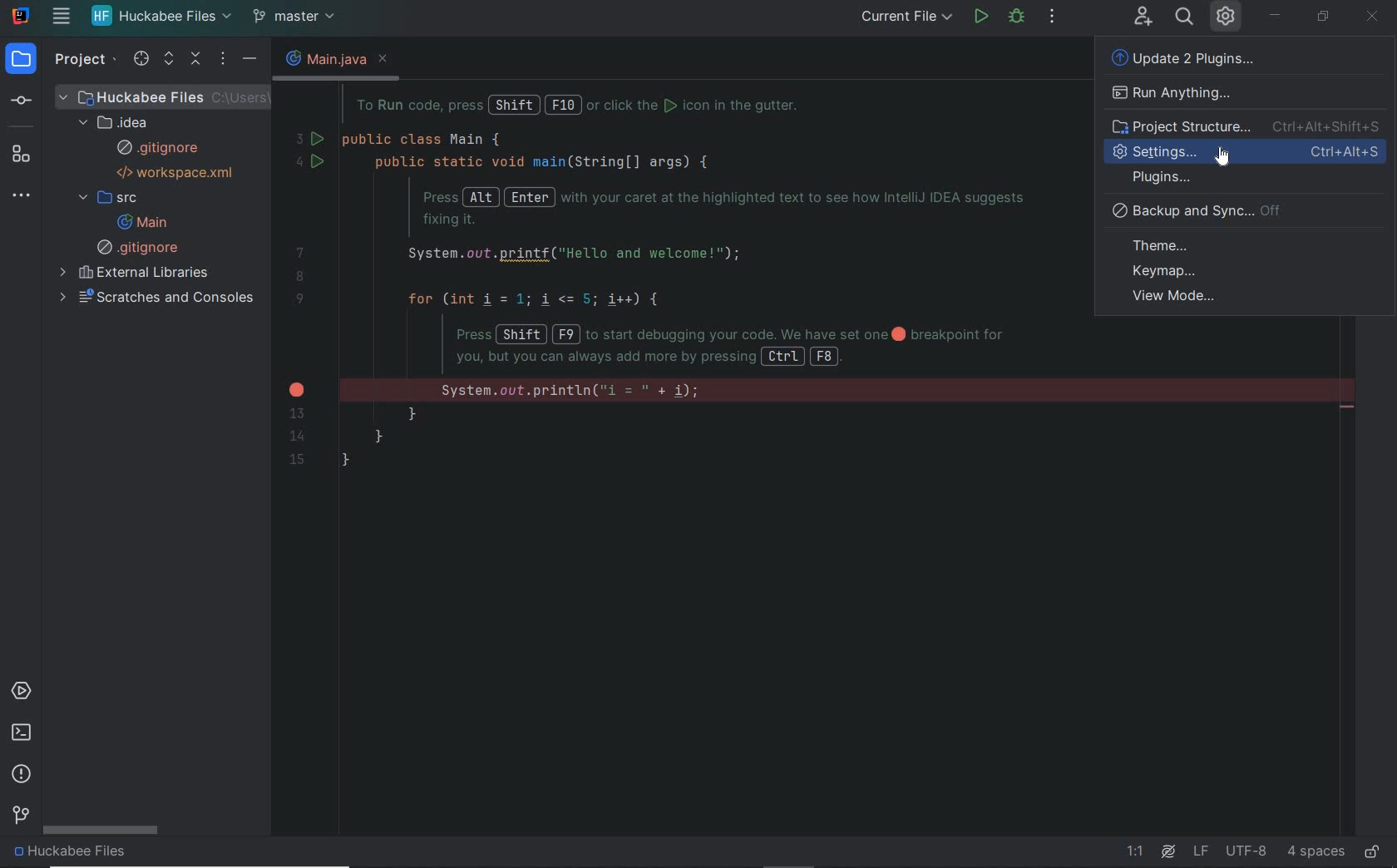 The height and width of the screenshot is (868, 1397). Describe the element at coordinates (20, 16) in the screenshot. I see `system name` at that location.